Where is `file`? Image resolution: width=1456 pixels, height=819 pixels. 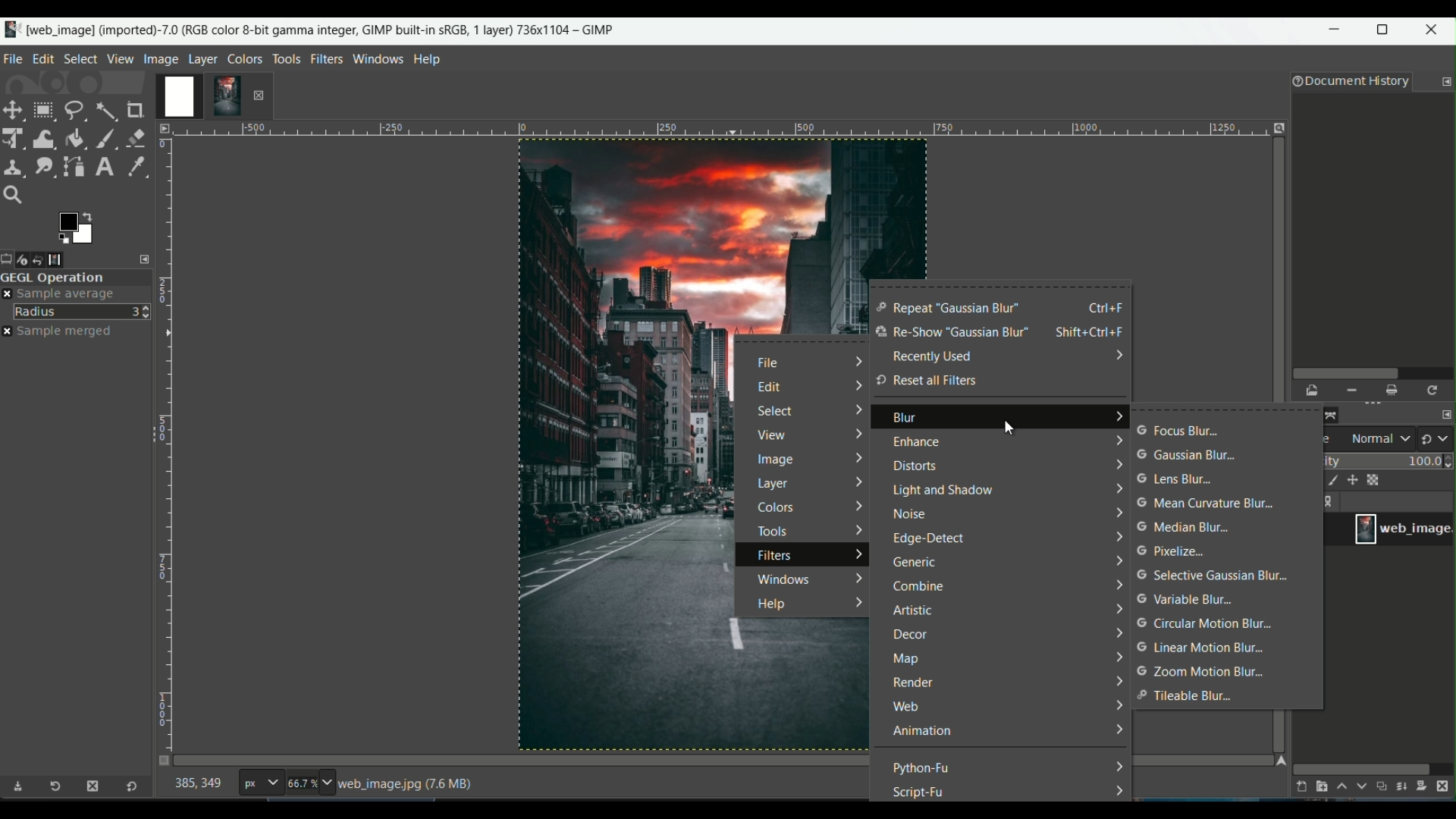 file is located at coordinates (772, 364).